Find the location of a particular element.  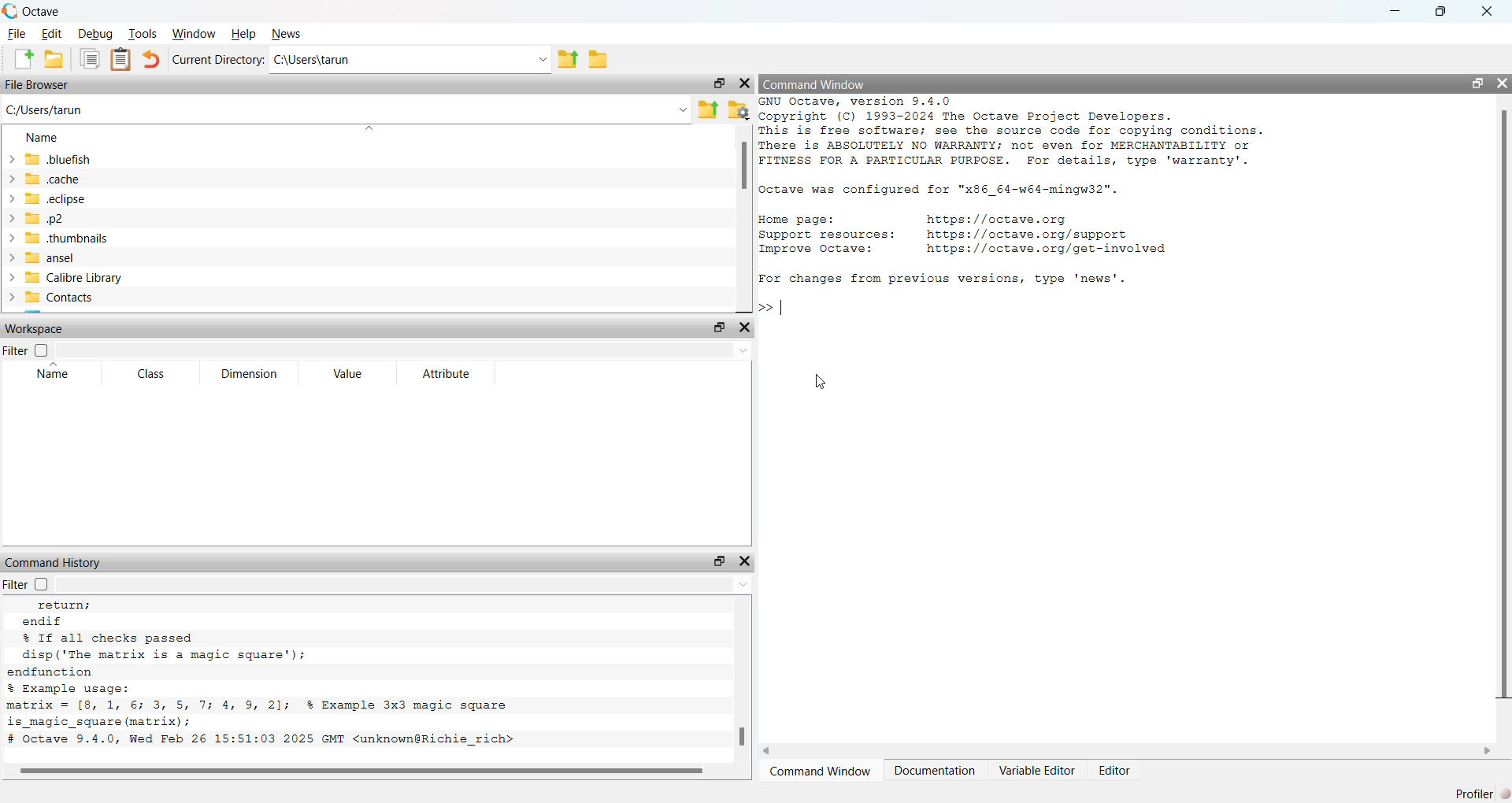

Filter is located at coordinates (25, 350).